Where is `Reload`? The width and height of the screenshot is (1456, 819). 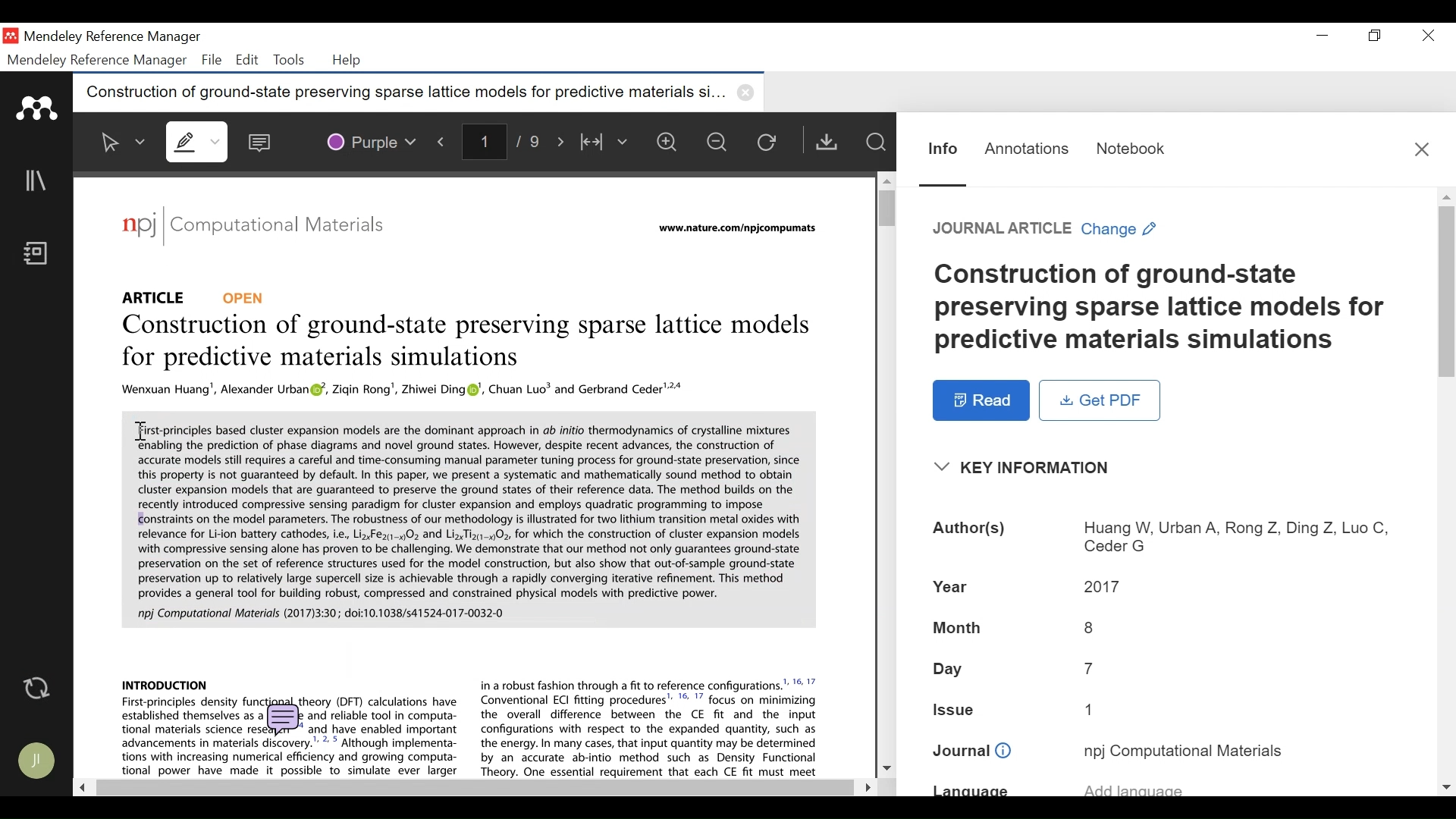
Reload is located at coordinates (770, 141).